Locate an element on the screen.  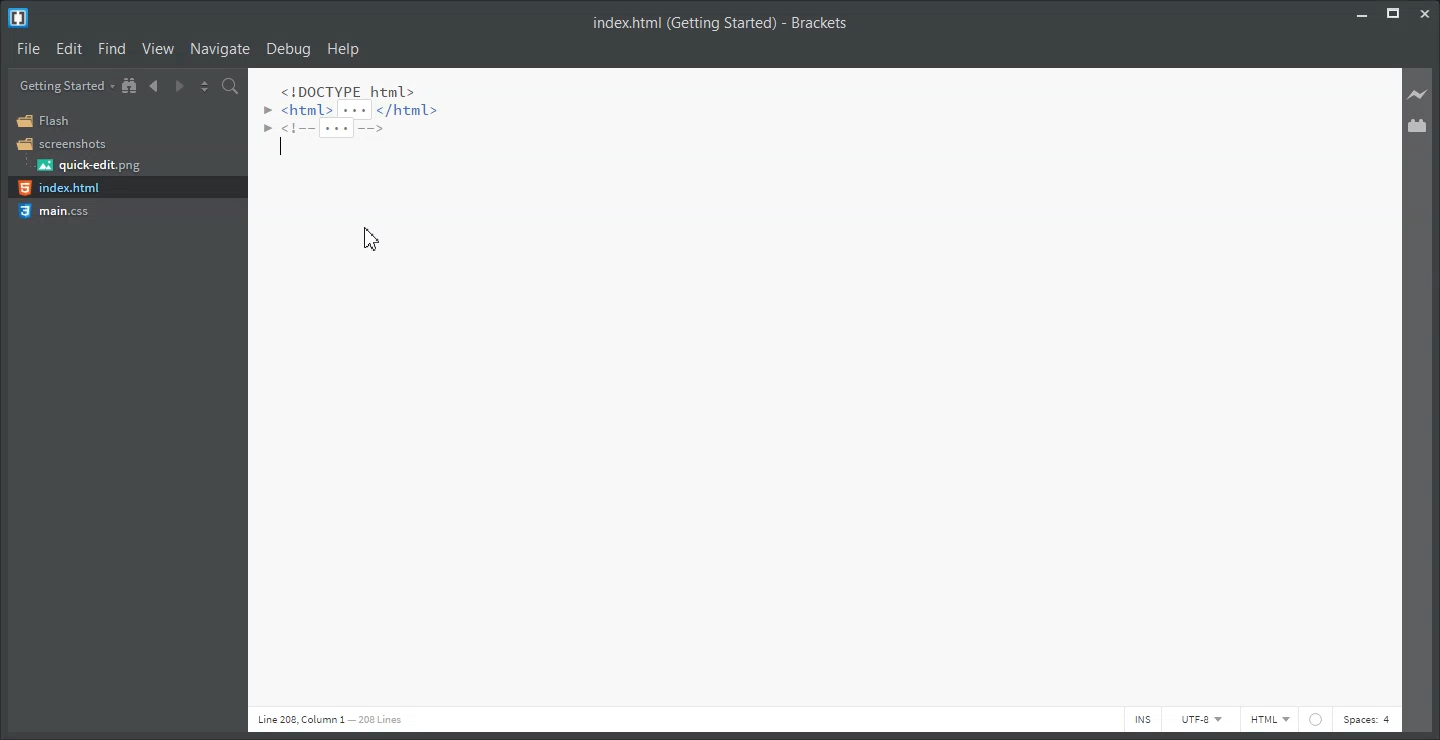
Logo is located at coordinates (18, 18).